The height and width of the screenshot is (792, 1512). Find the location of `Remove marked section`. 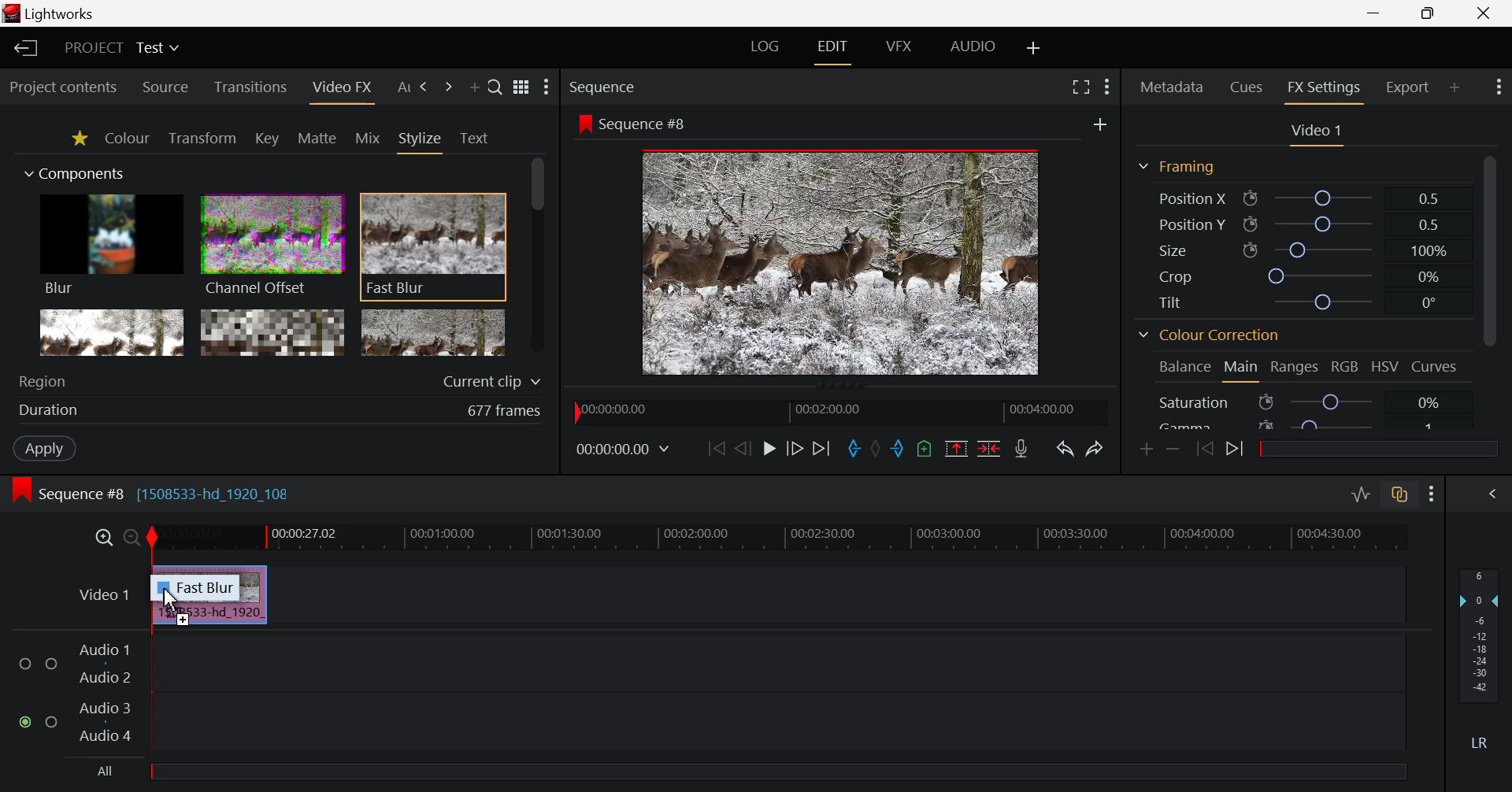

Remove marked section is located at coordinates (958, 450).